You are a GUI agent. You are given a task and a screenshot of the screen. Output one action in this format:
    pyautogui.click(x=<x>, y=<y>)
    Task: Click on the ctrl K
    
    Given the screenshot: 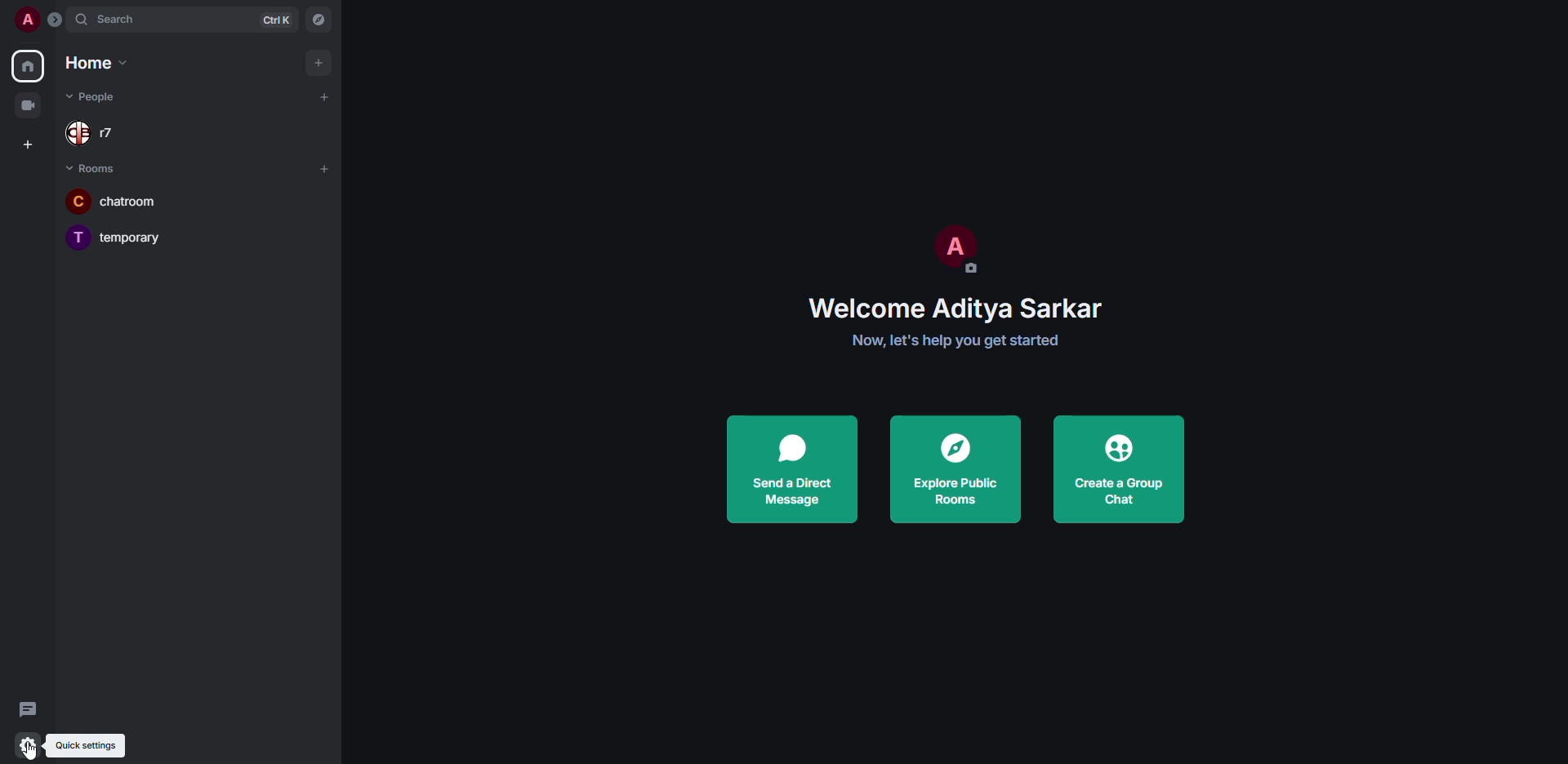 What is the action you would take?
    pyautogui.click(x=275, y=20)
    